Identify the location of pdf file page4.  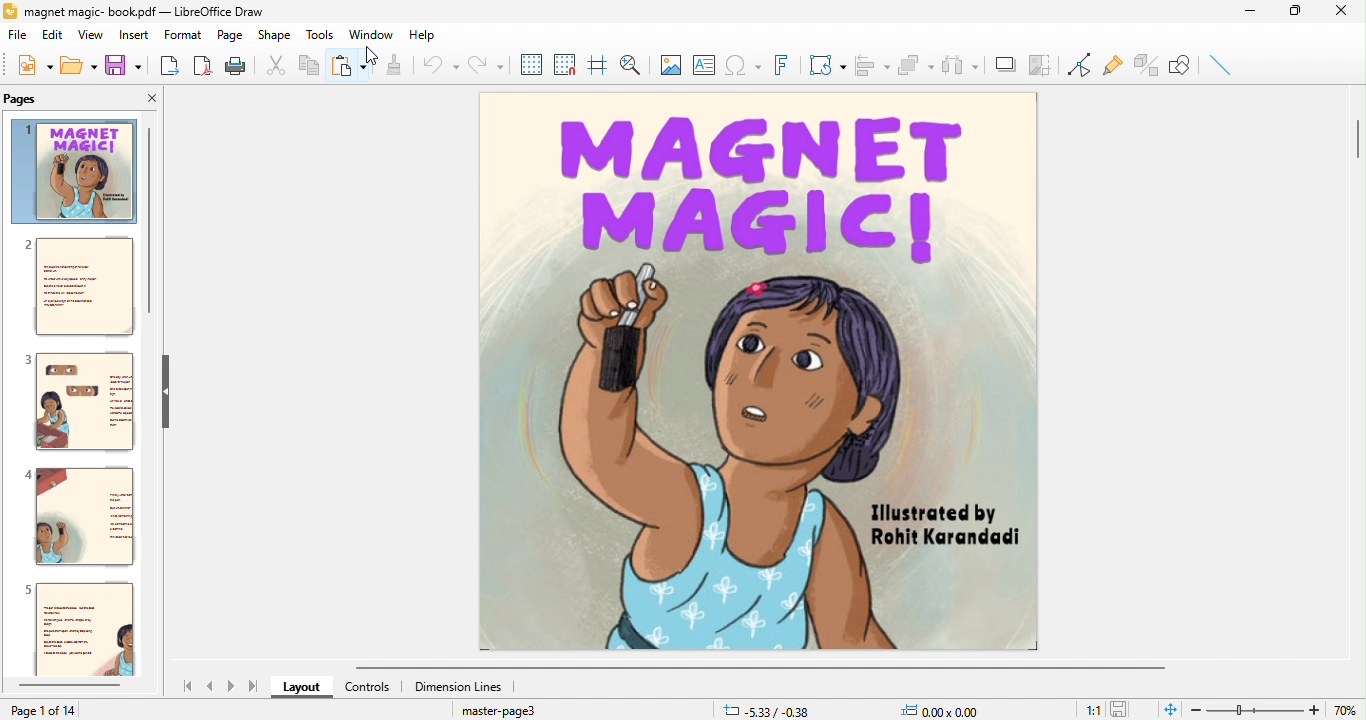
(84, 518).